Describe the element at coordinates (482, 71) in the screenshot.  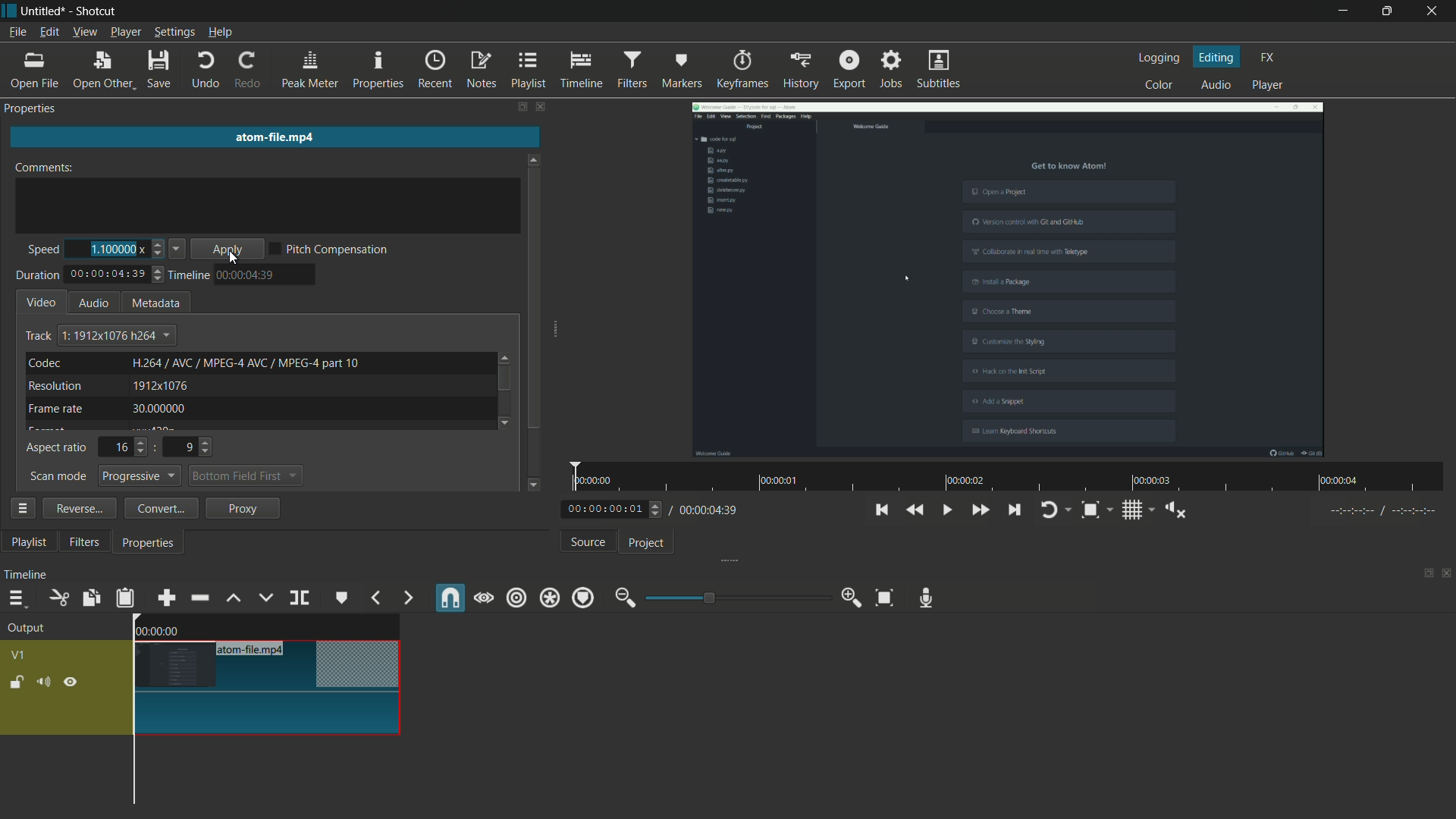
I see `notes` at that location.